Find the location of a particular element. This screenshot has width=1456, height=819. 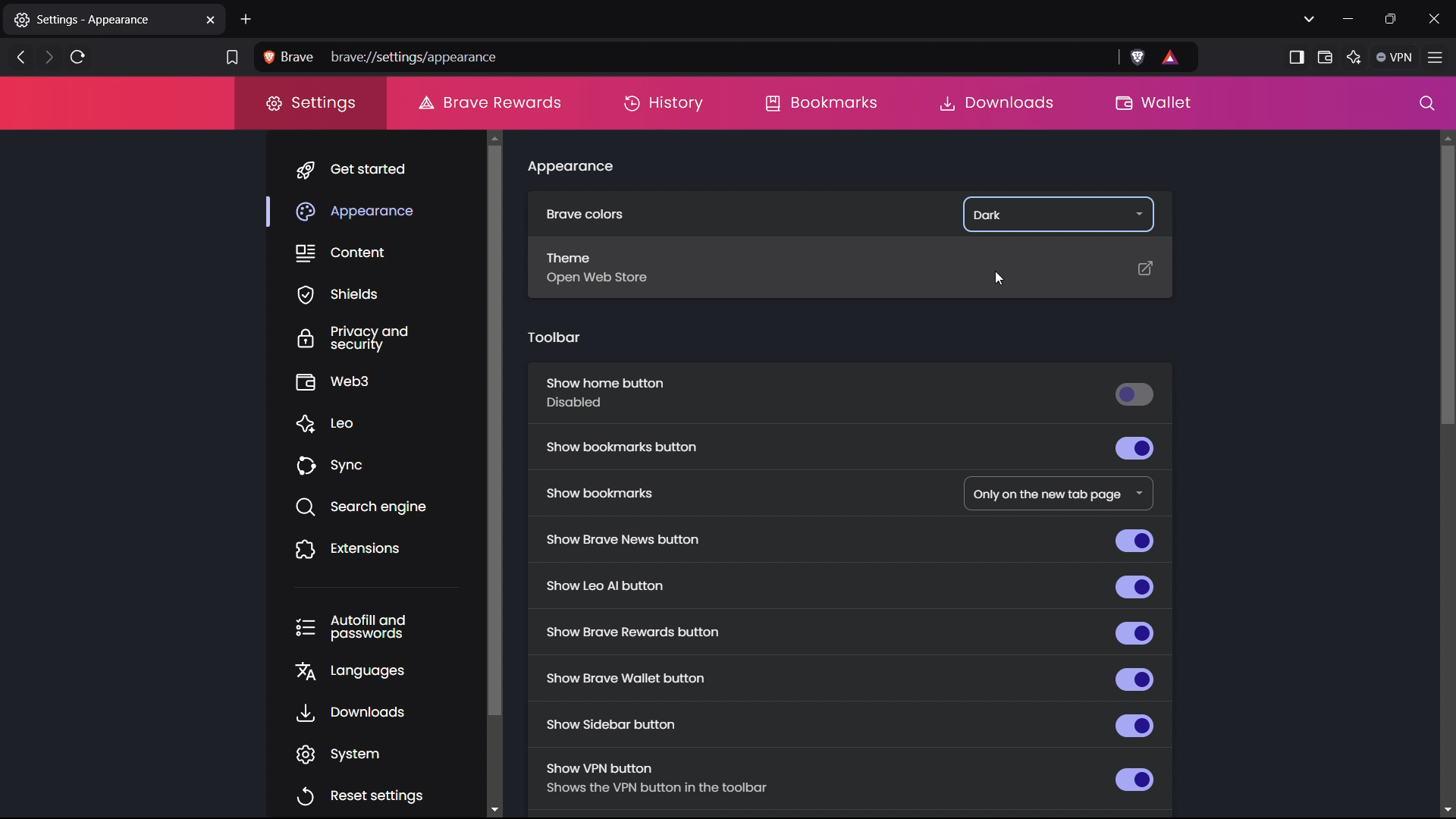

show VPN button Shows the VPN button in the toolbar is located at coordinates (846, 777).